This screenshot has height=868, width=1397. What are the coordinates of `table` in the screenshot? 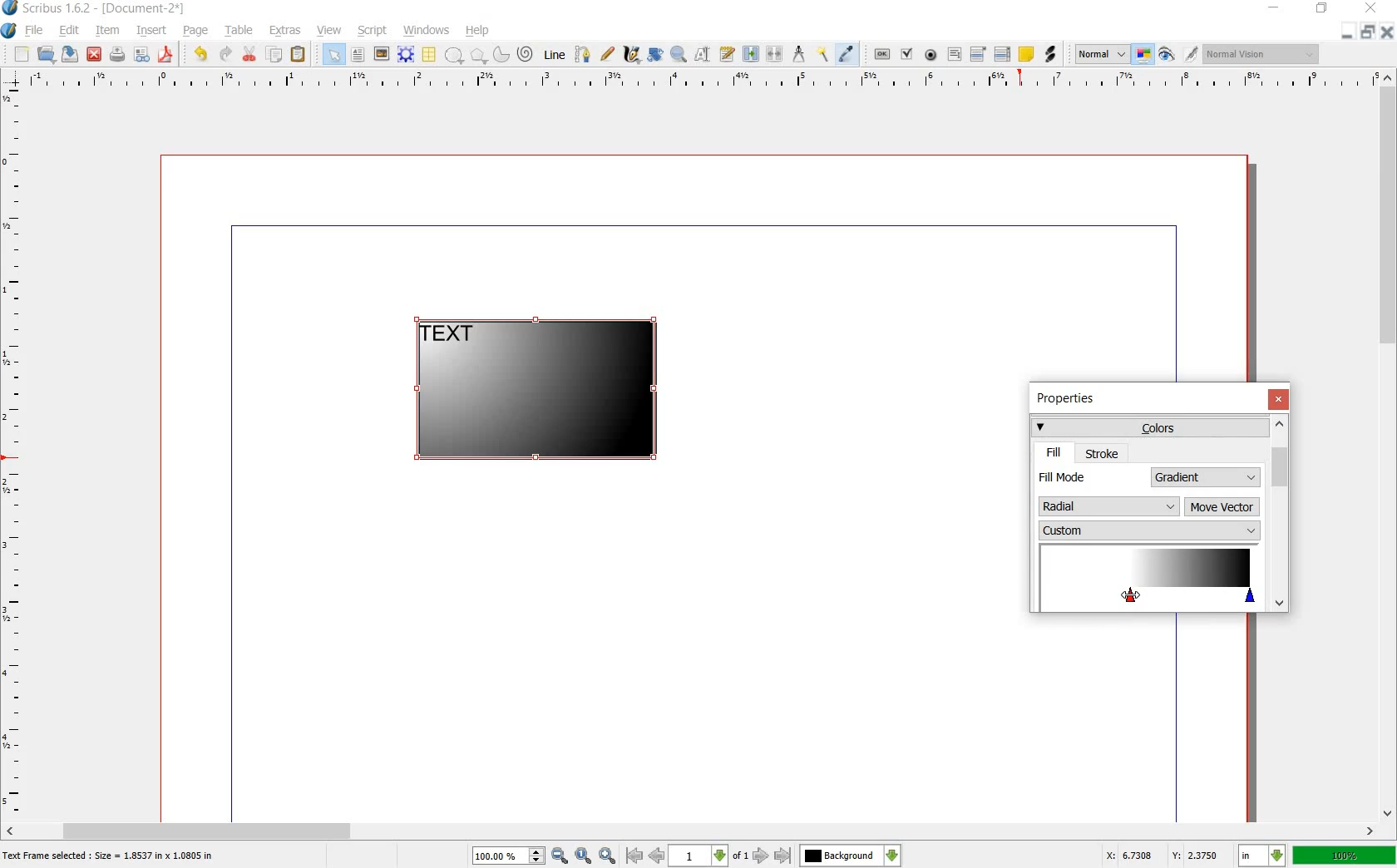 It's located at (430, 55).